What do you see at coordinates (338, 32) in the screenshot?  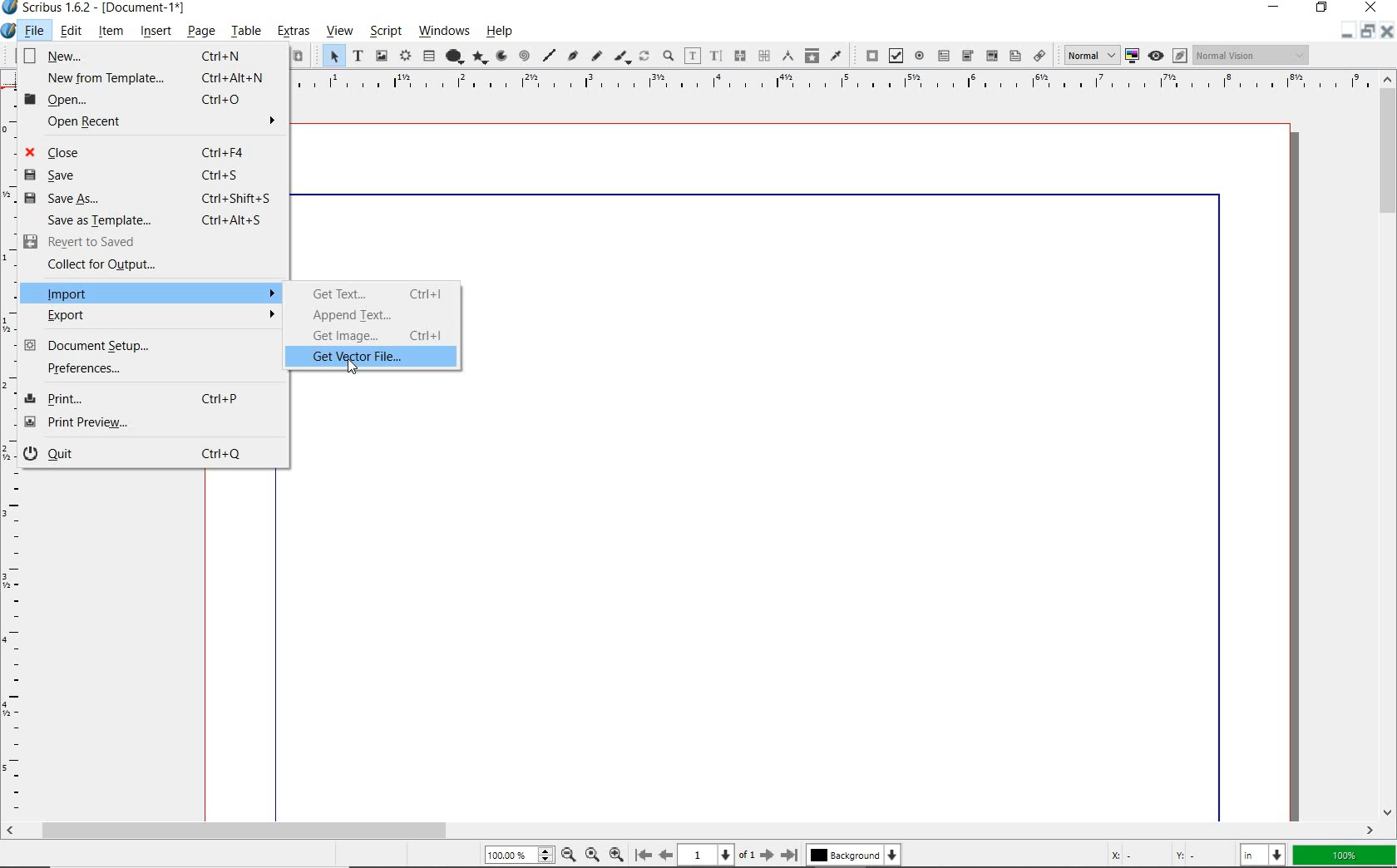 I see `view` at bounding box center [338, 32].